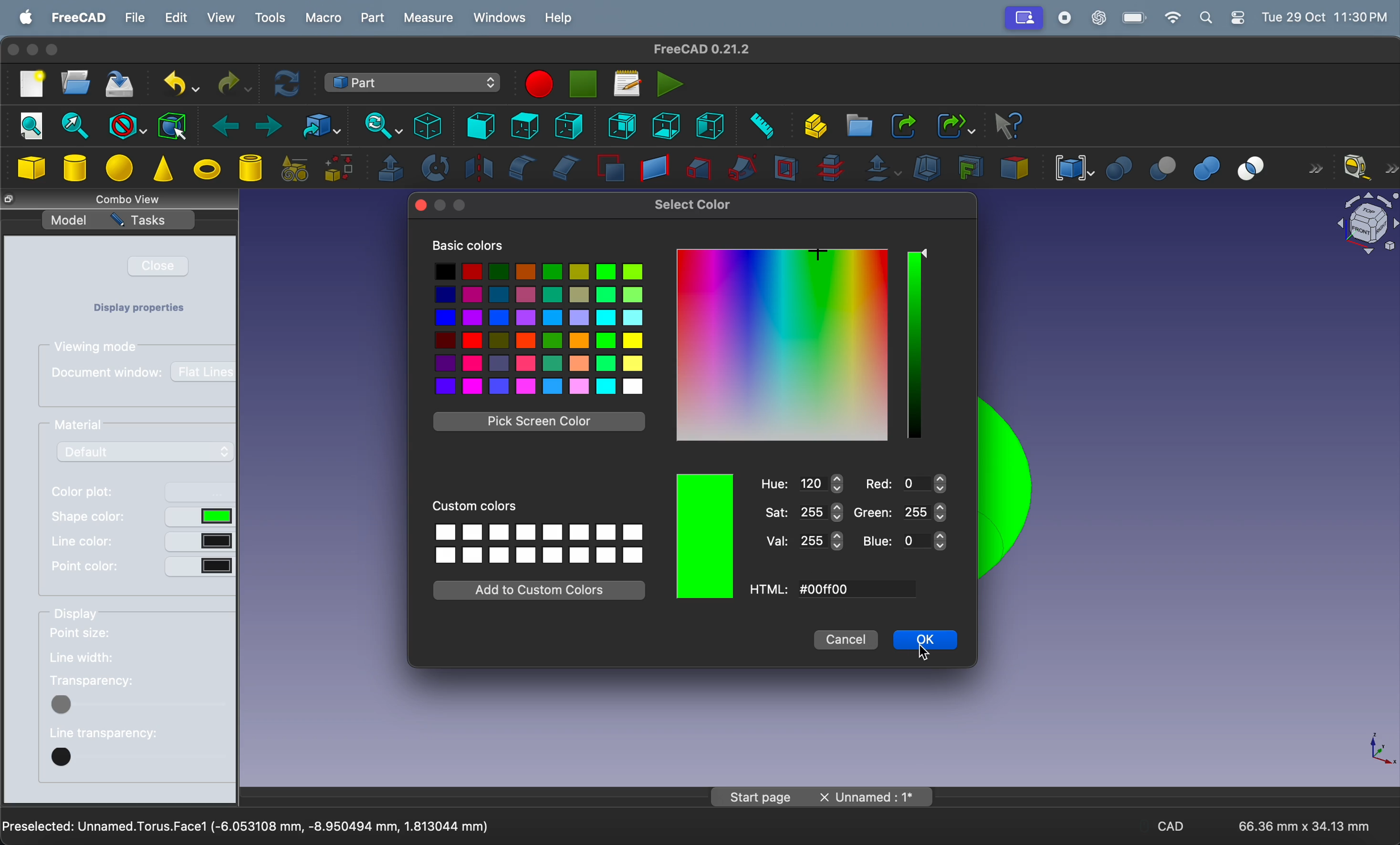 This screenshot has height=845, width=1400. Describe the element at coordinates (323, 16) in the screenshot. I see `marco` at that location.